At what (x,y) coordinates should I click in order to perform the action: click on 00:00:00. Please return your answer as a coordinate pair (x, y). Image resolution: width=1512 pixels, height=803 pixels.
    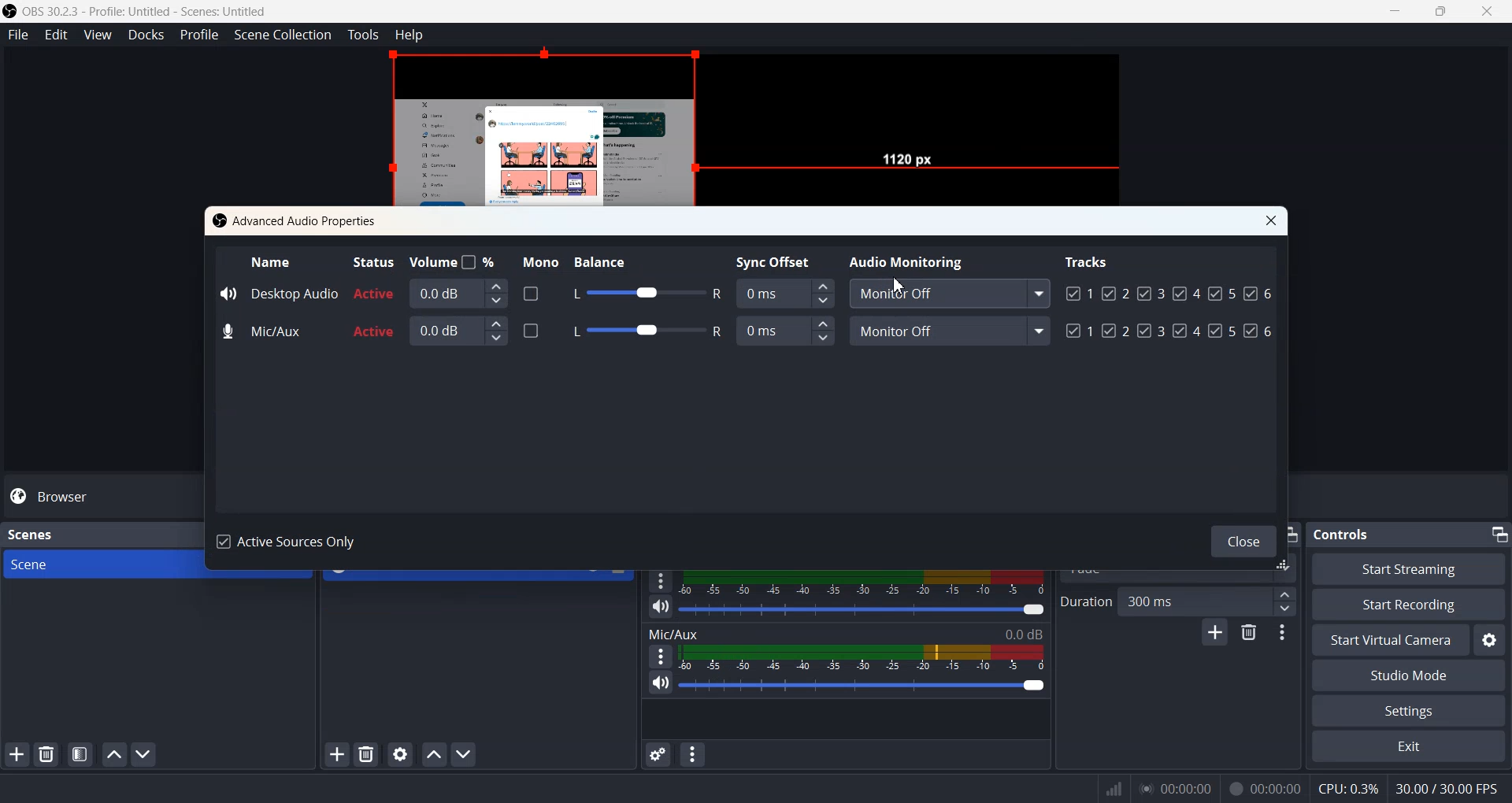
    Looking at the image, I should click on (1176, 787).